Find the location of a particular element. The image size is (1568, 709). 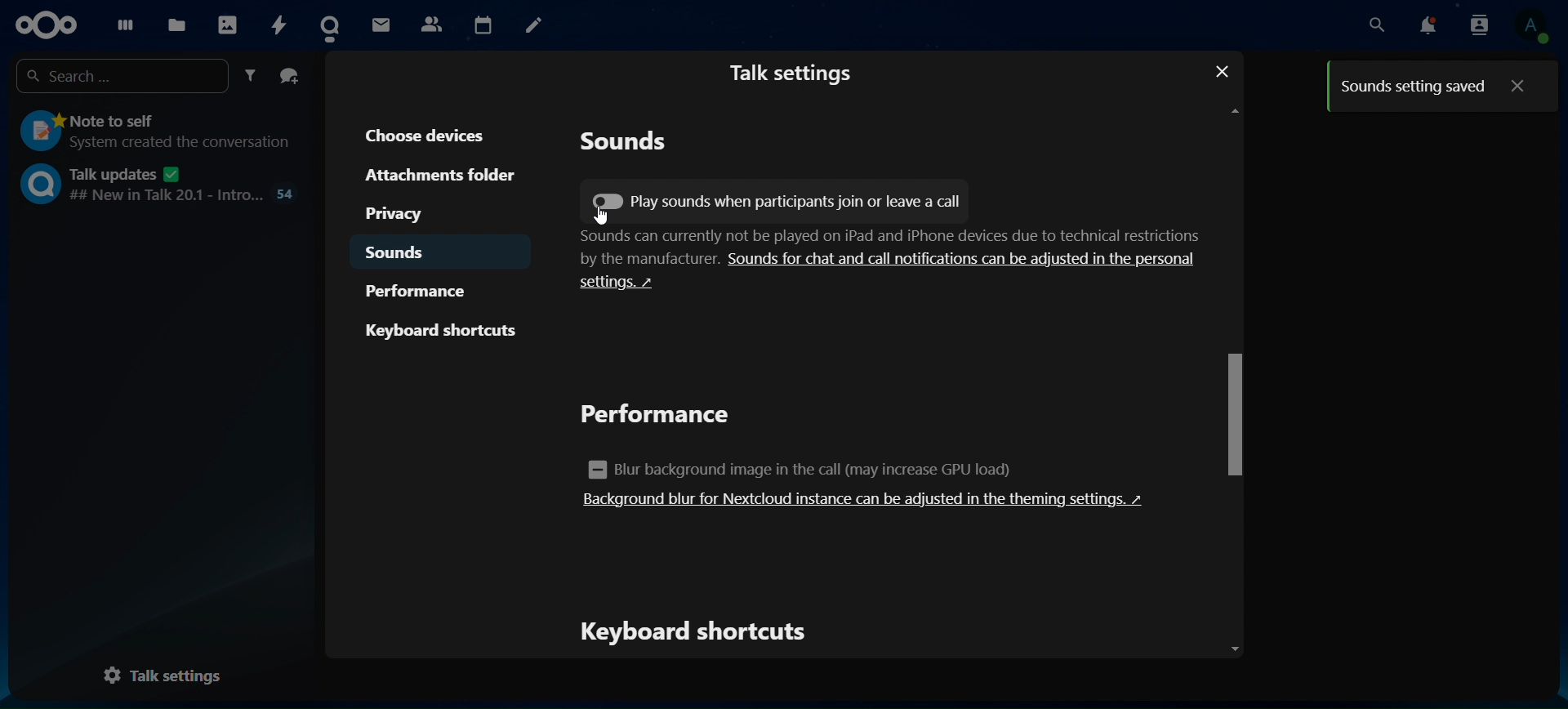

logo is located at coordinates (47, 25).